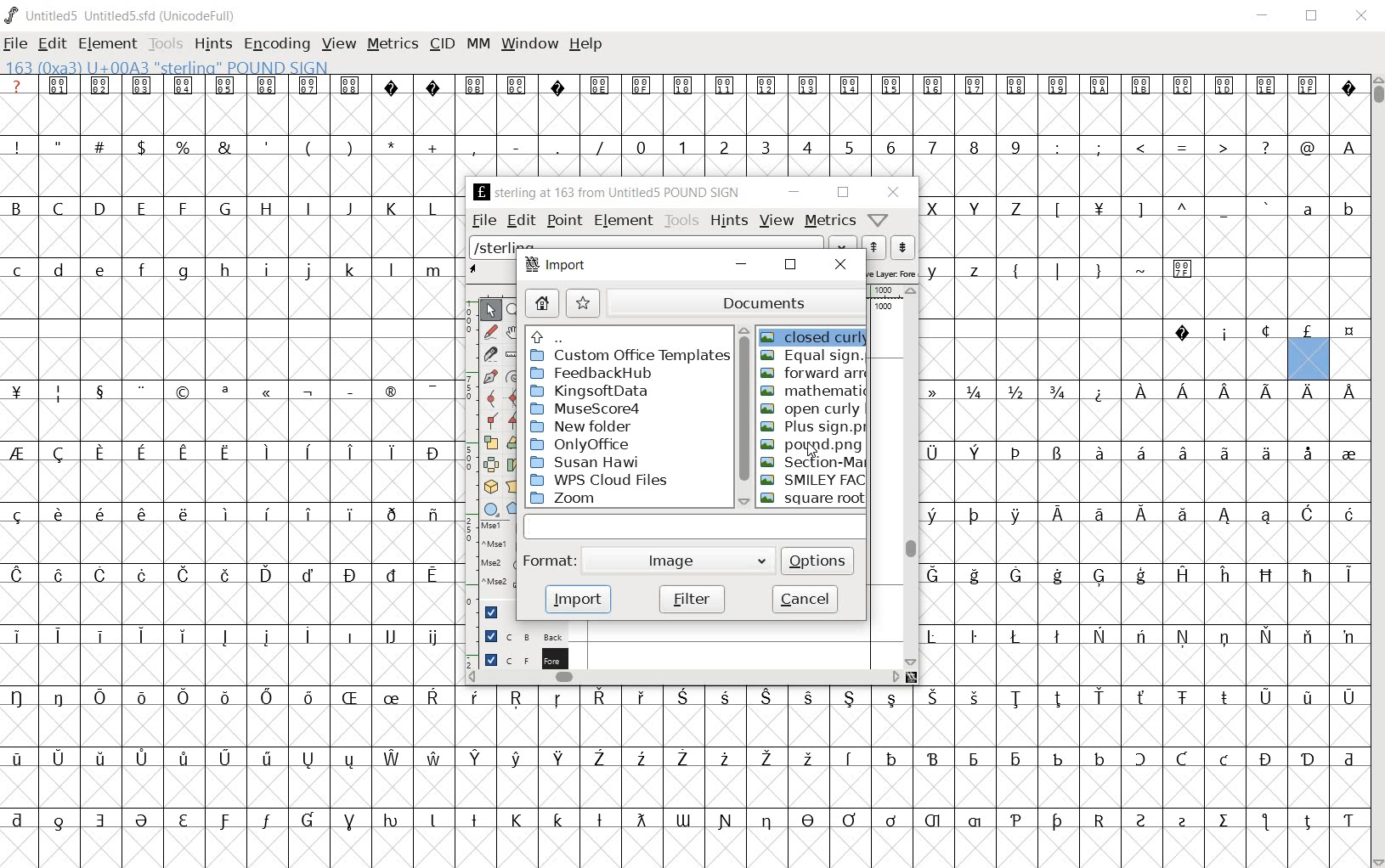 This screenshot has height=868, width=1385. What do you see at coordinates (805, 598) in the screenshot?
I see `cancel` at bounding box center [805, 598].